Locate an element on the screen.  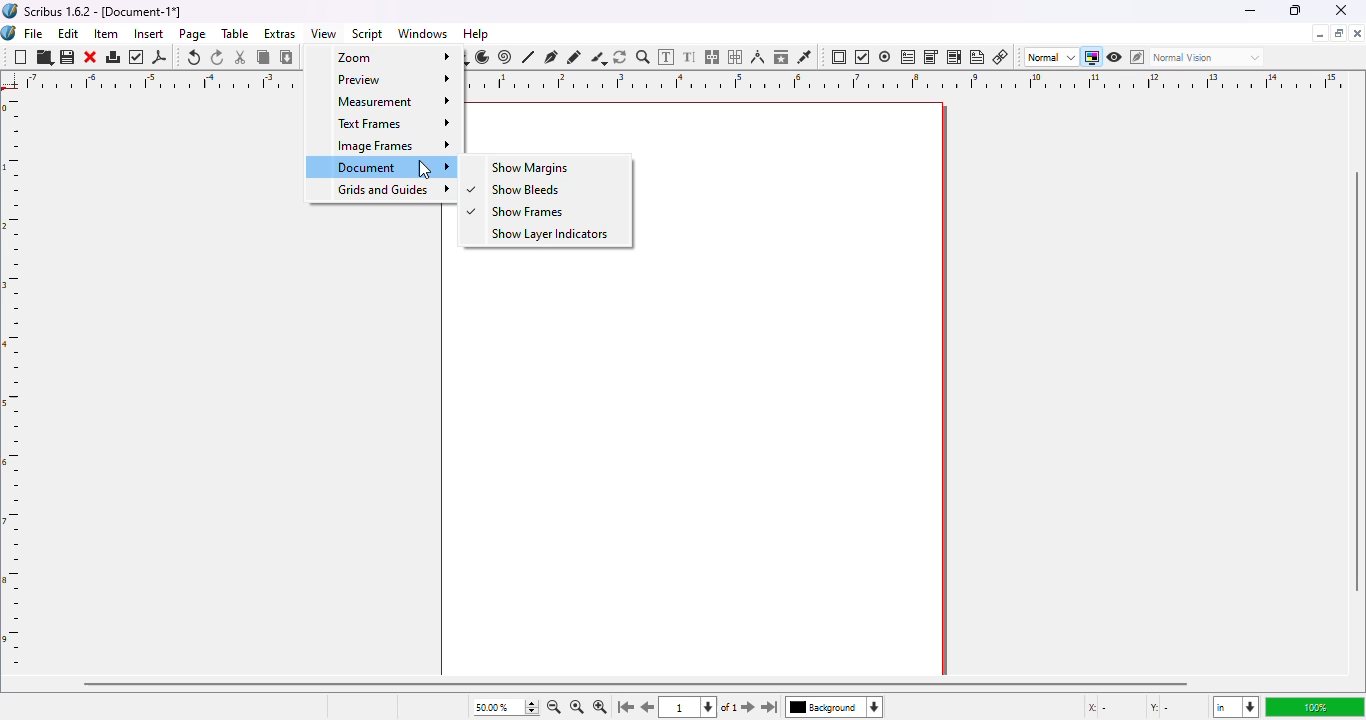
close is located at coordinates (1342, 10).